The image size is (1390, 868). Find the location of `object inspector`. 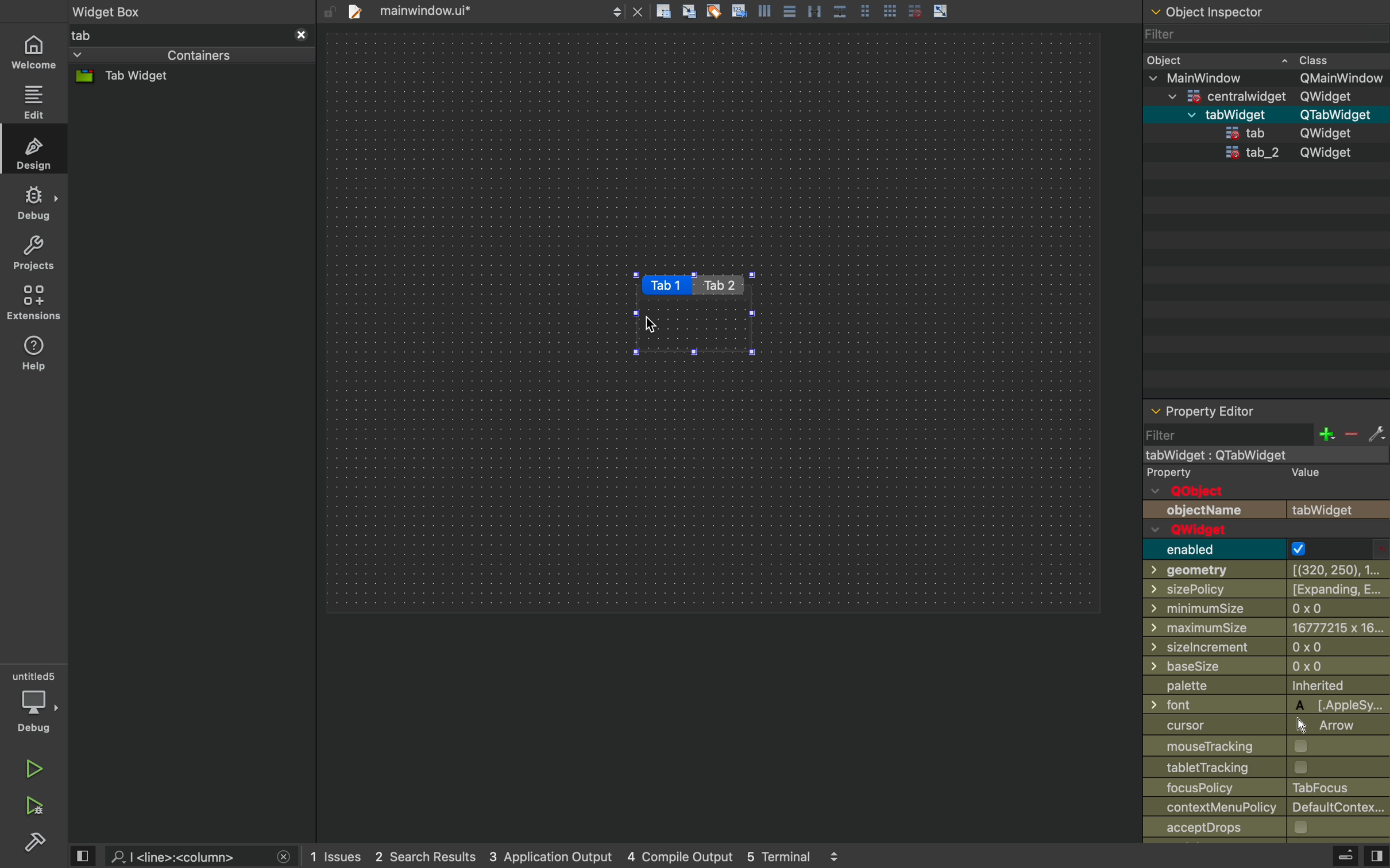

object inspector is located at coordinates (1262, 10).